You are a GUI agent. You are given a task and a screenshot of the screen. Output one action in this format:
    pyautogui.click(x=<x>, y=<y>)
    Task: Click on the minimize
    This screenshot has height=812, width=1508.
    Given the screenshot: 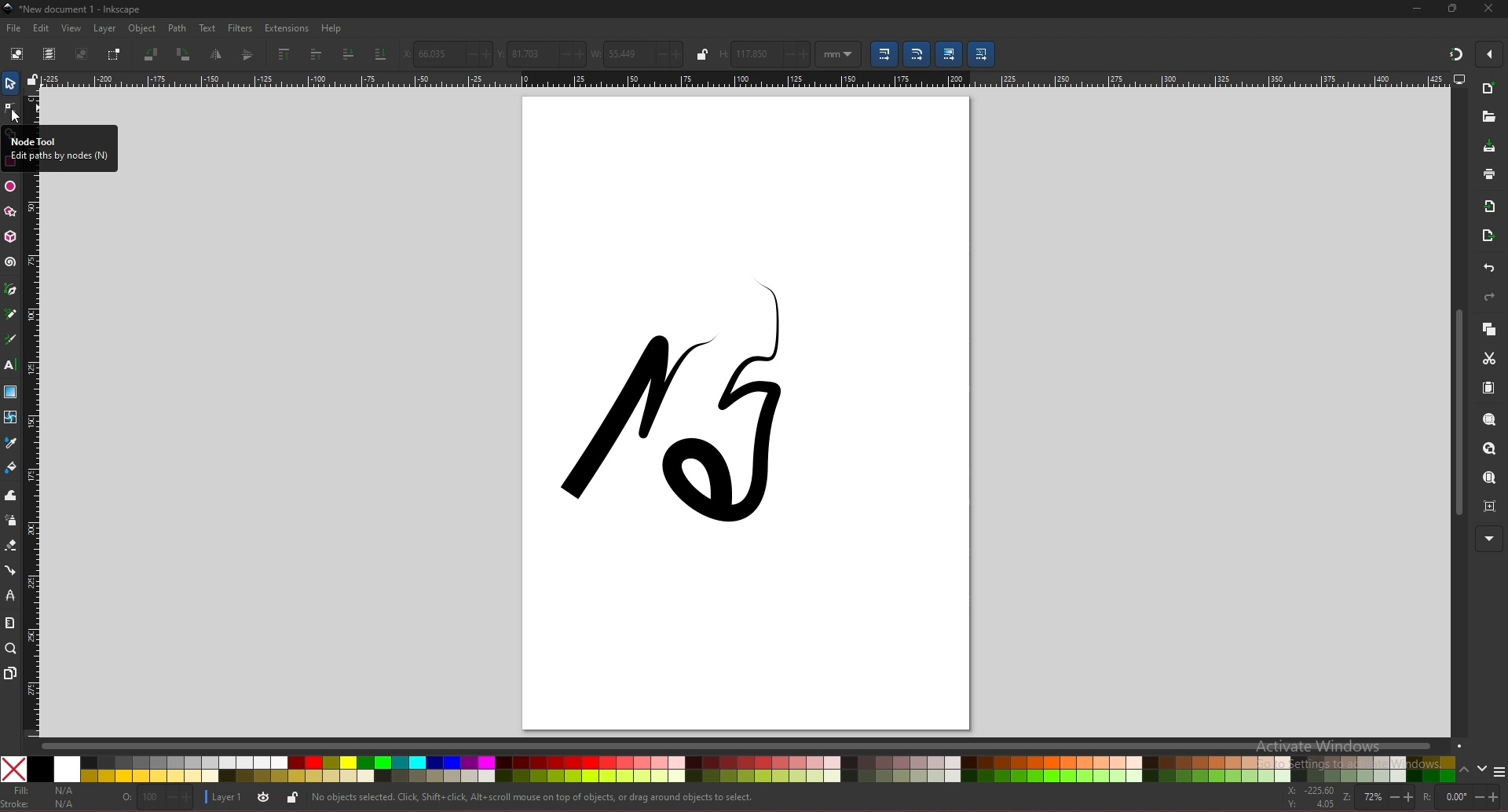 What is the action you would take?
    pyautogui.click(x=1418, y=9)
    